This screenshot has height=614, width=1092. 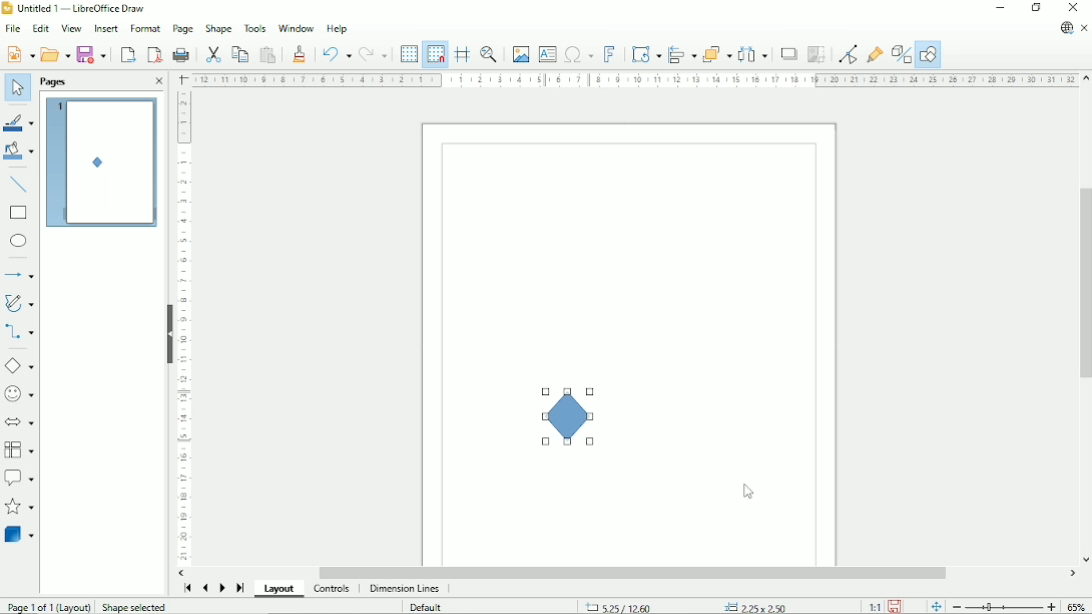 What do you see at coordinates (520, 54) in the screenshot?
I see `Insert image` at bounding box center [520, 54].